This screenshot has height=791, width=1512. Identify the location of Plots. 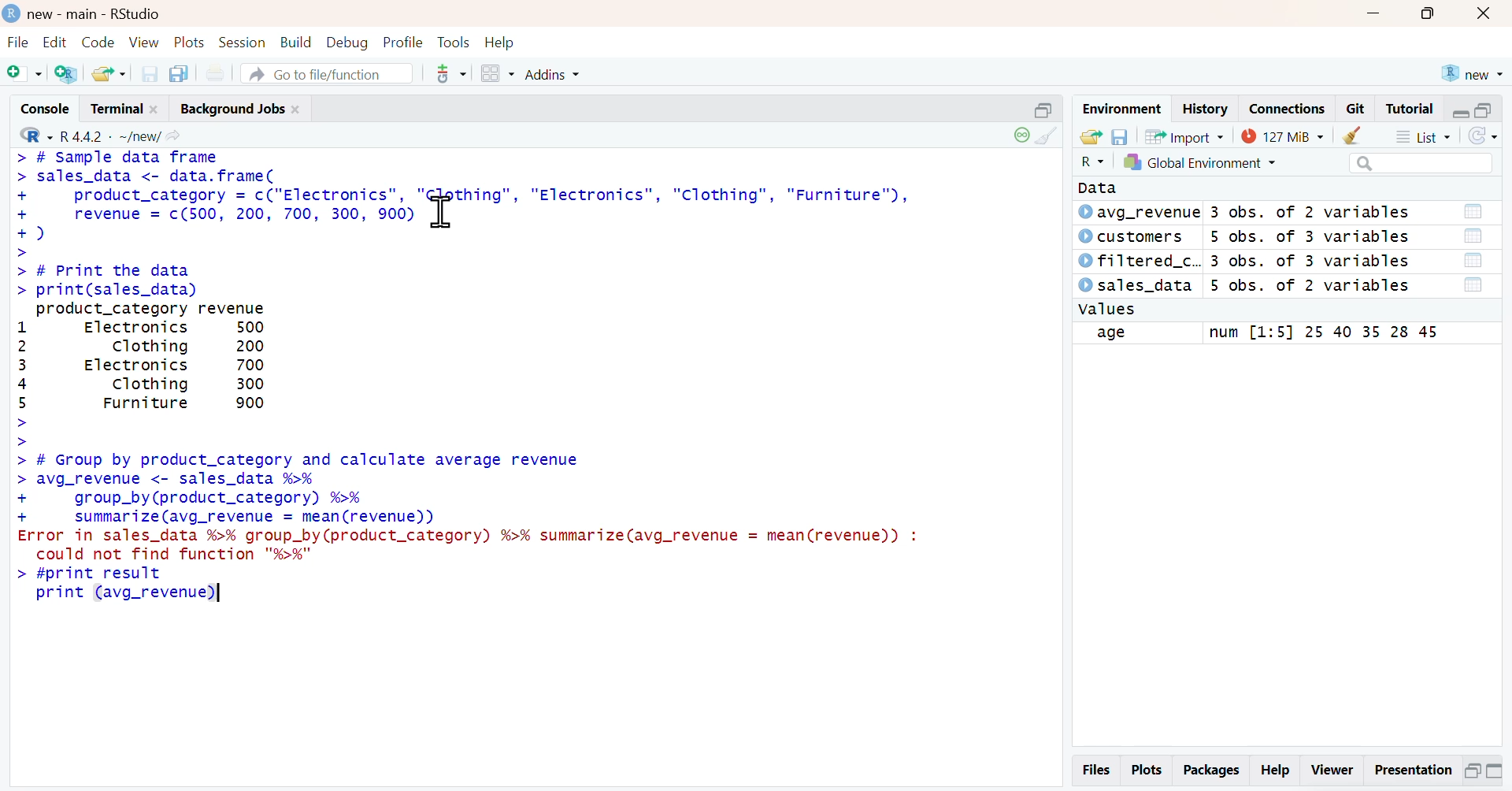
(190, 42).